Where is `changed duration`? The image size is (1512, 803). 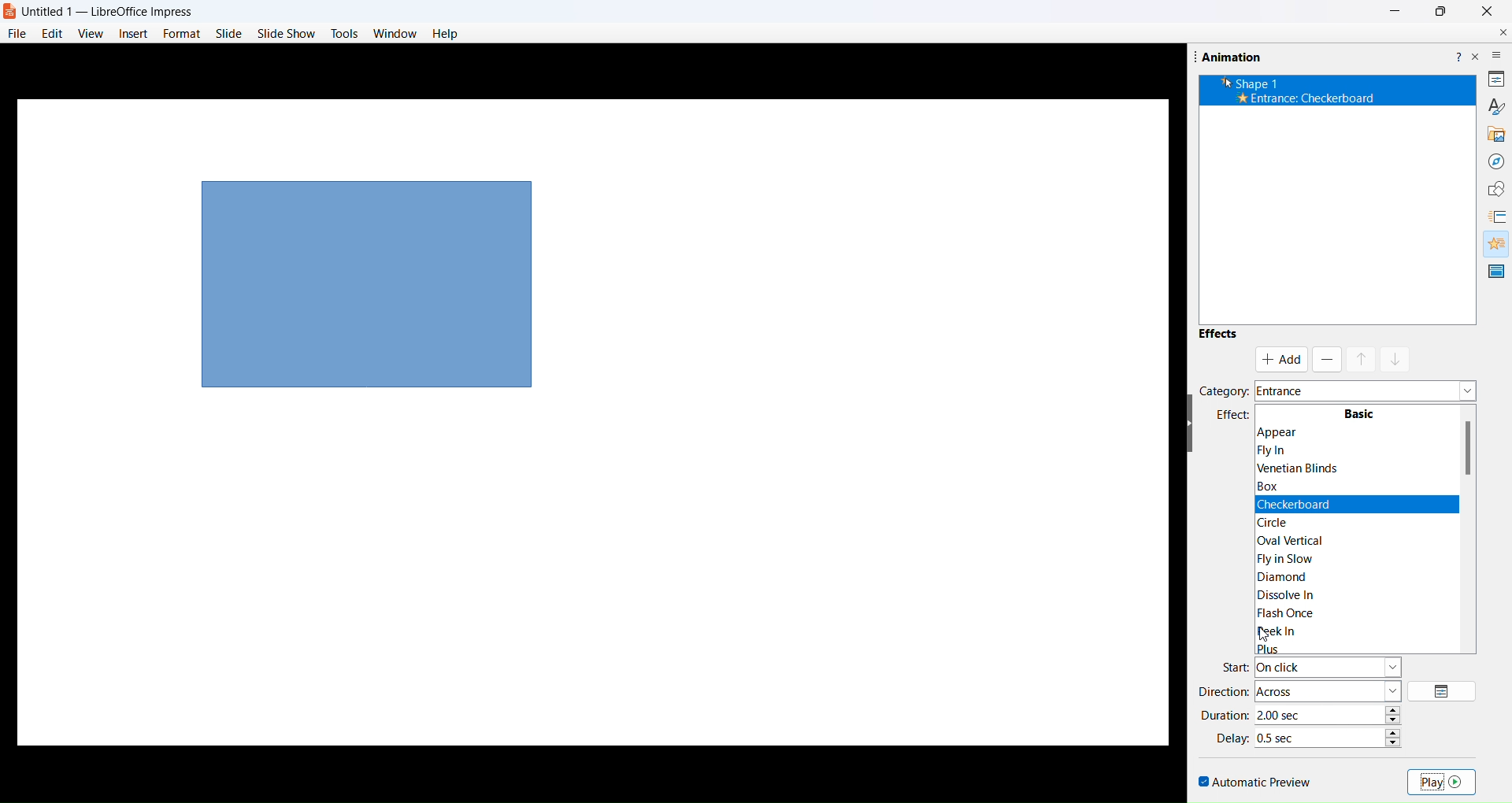 changed duration is located at coordinates (1314, 713).